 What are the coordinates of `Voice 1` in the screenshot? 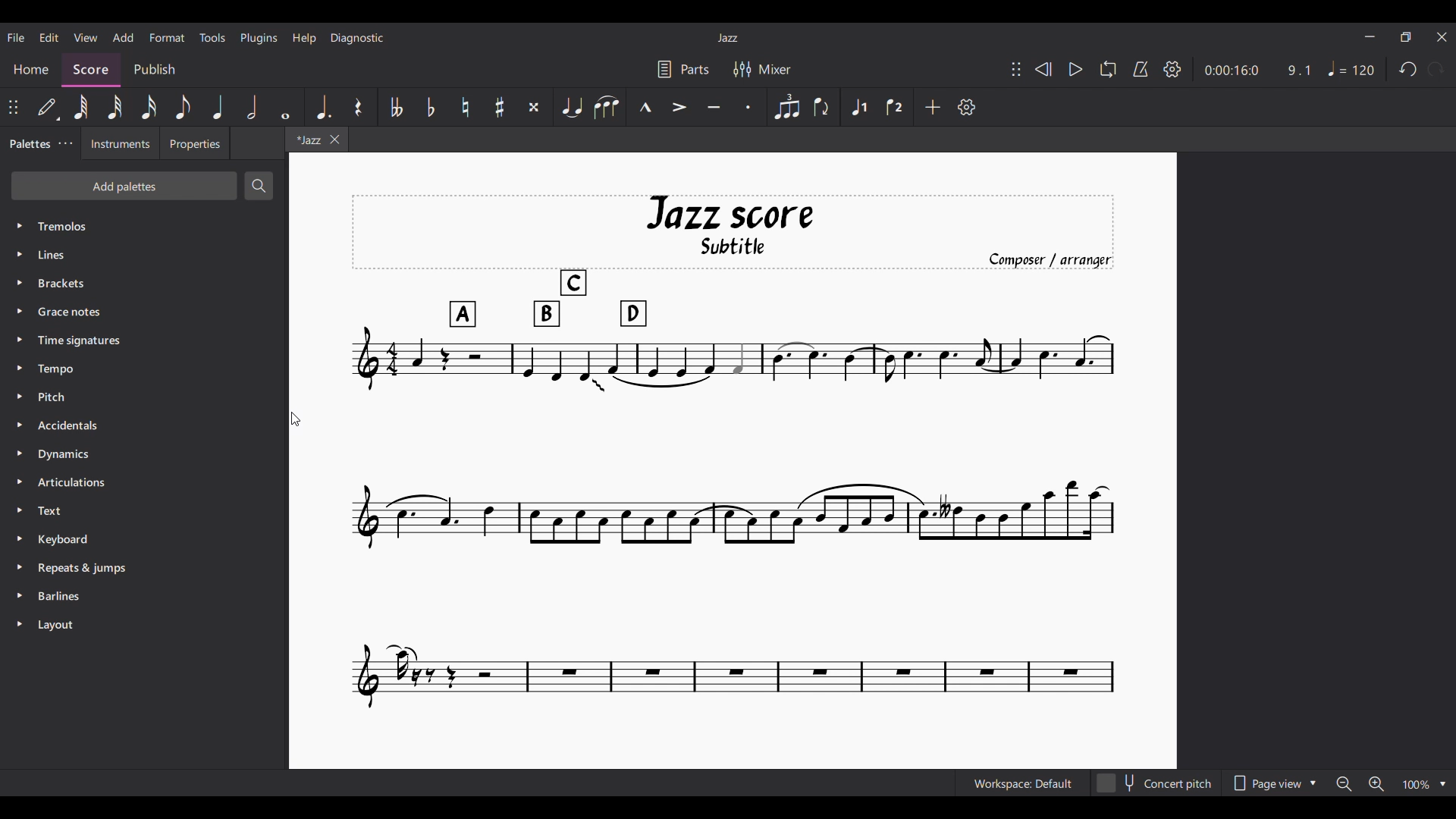 It's located at (859, 107).